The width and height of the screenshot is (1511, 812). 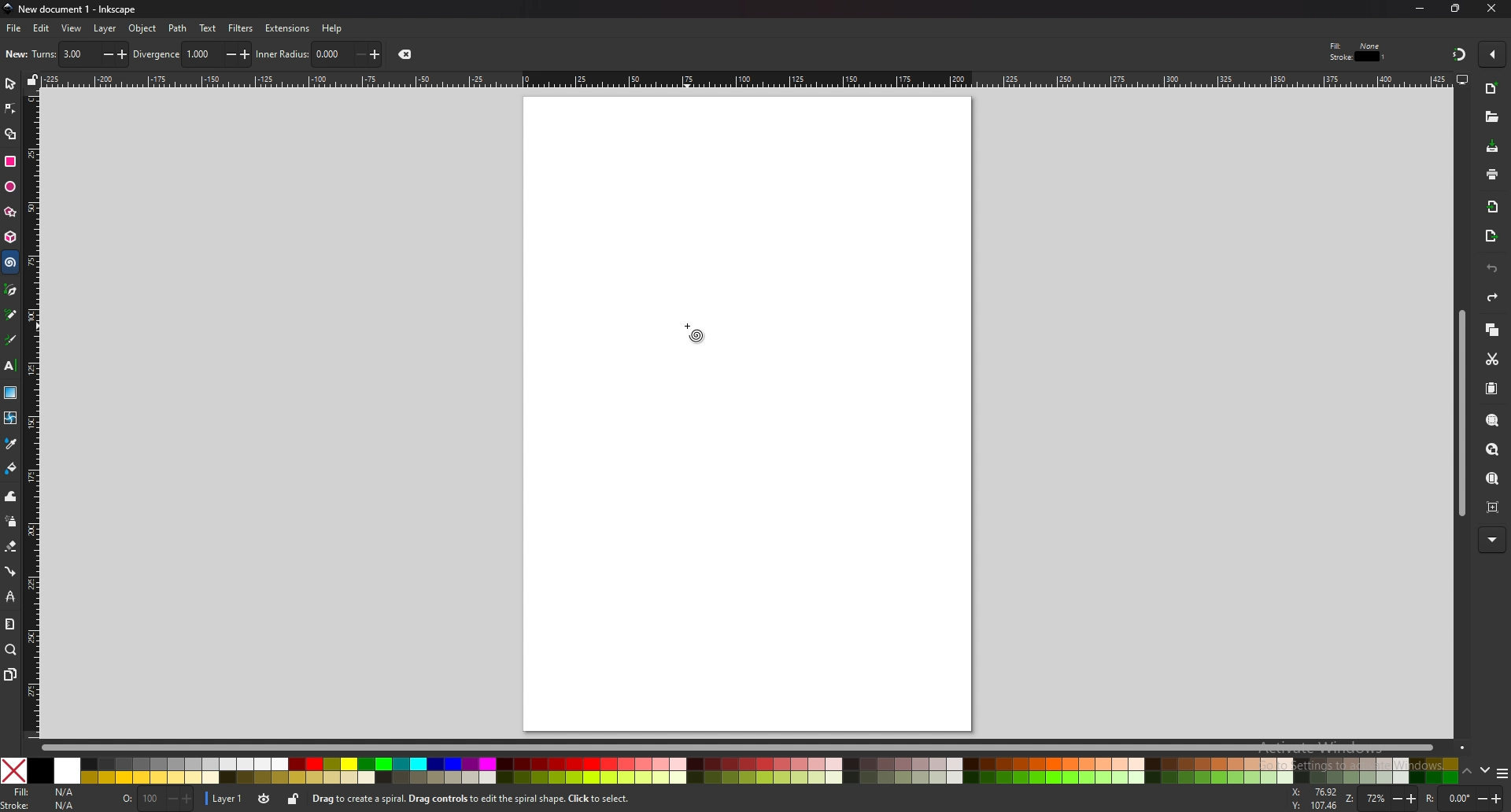 What do you see at coordinates (10, 290) in the screenshot?
I see `pen` at bounding box center [10, 290].